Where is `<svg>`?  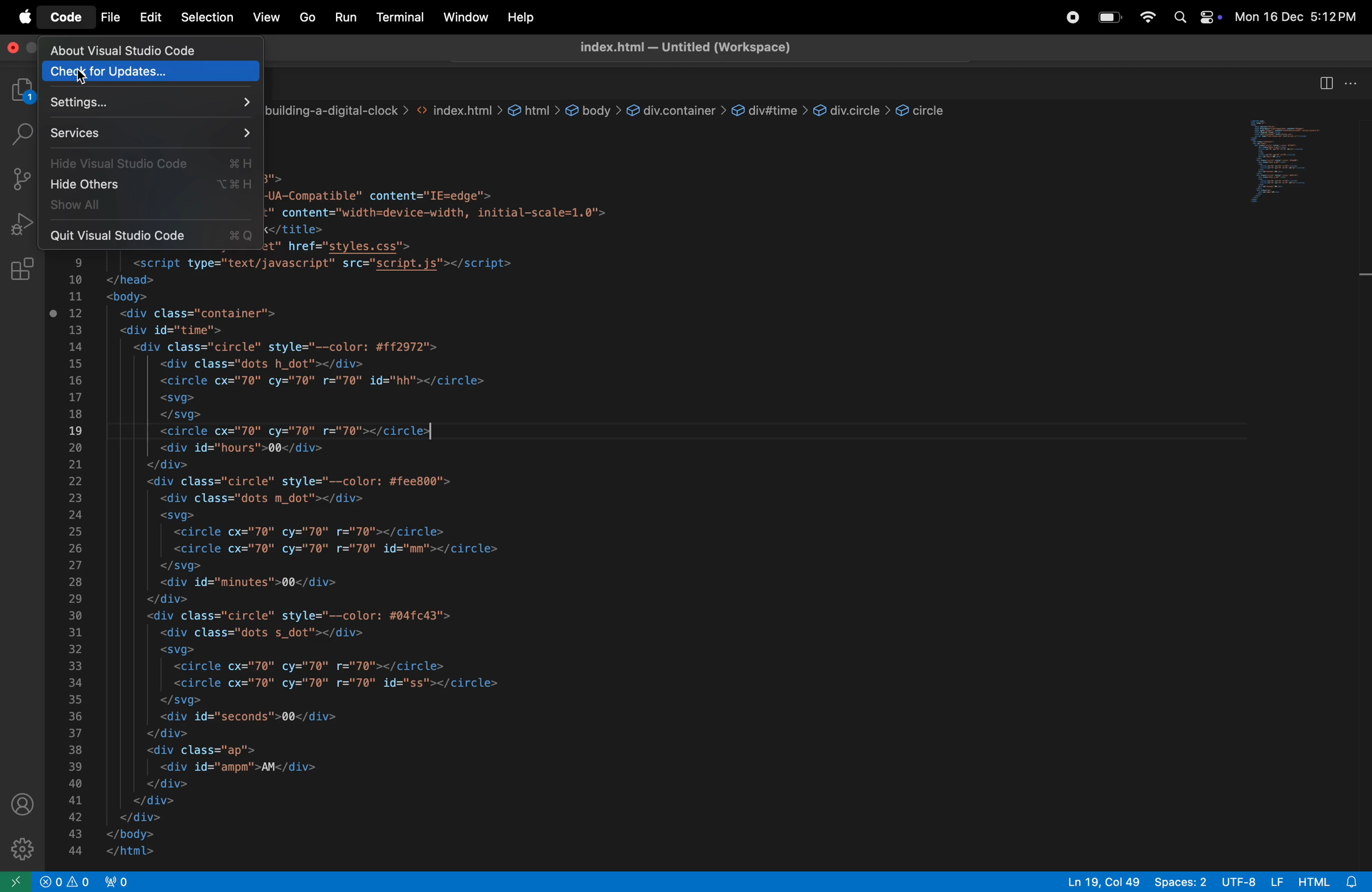 <svg> is located at coordinates (183, 650).